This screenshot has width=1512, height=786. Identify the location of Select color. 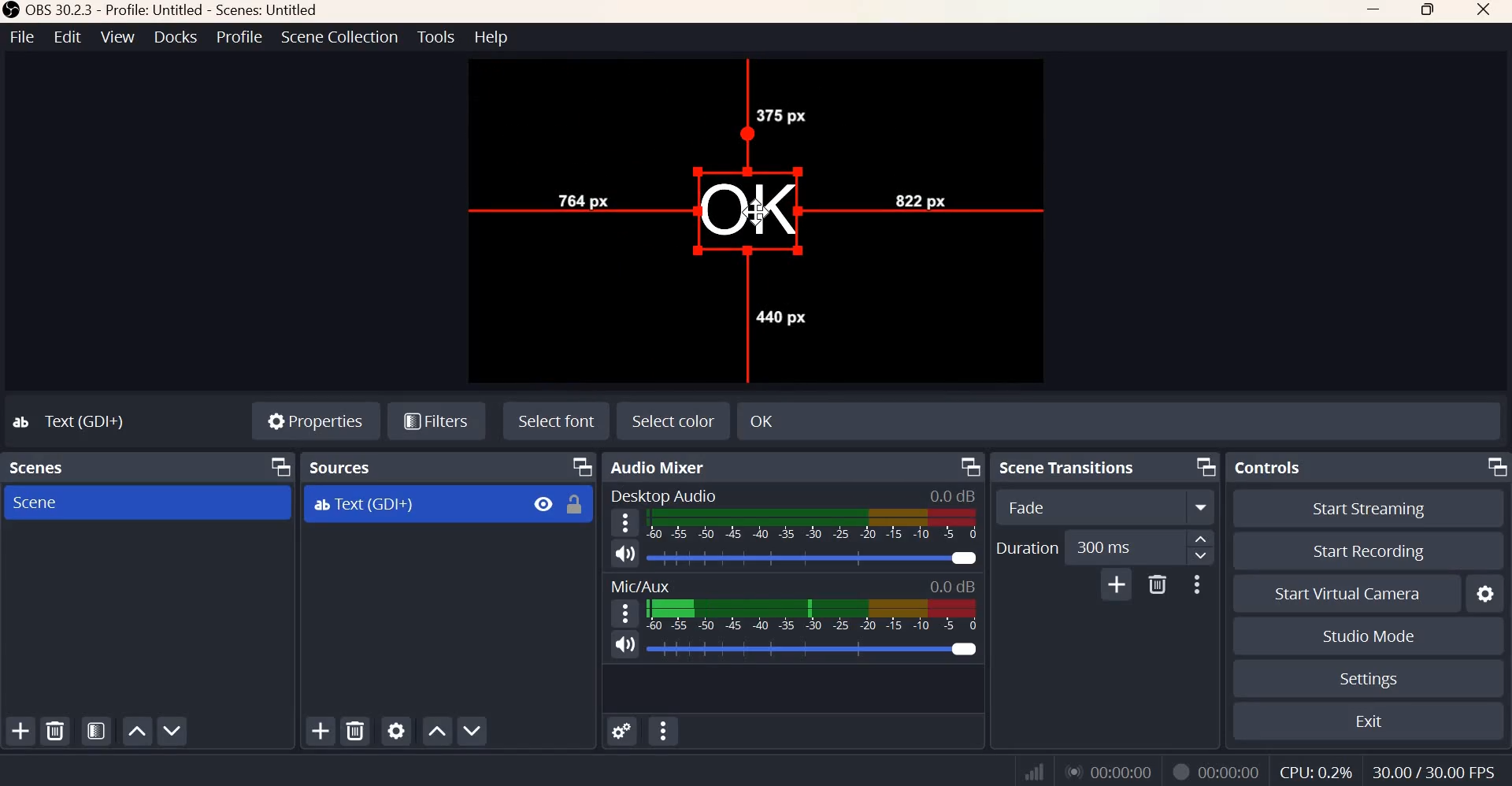
(672, 421).